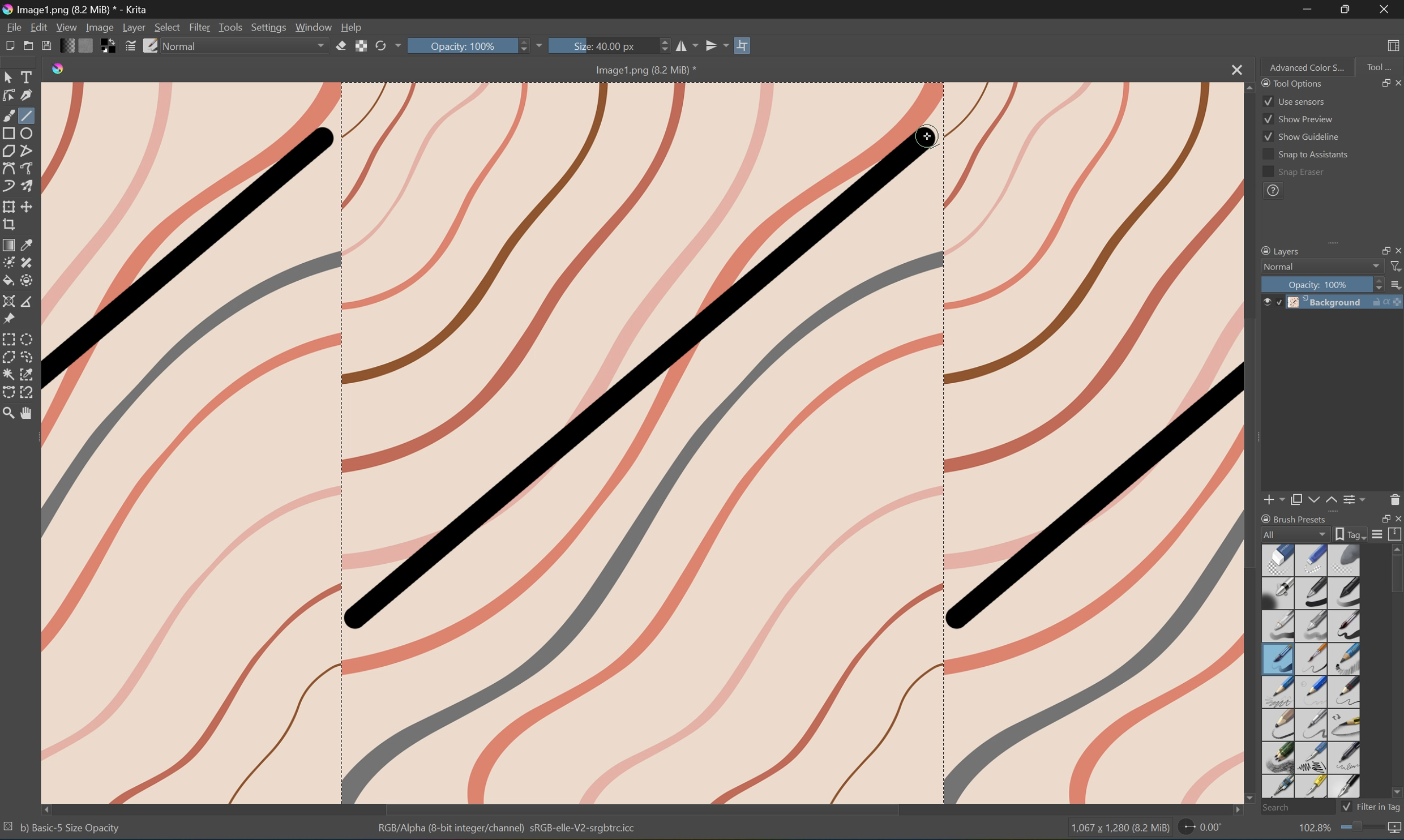 This screenshot has width=1404, height=840. Describe the element at coordinates (99, 27) in the screenshot. I see `Image` at that location.